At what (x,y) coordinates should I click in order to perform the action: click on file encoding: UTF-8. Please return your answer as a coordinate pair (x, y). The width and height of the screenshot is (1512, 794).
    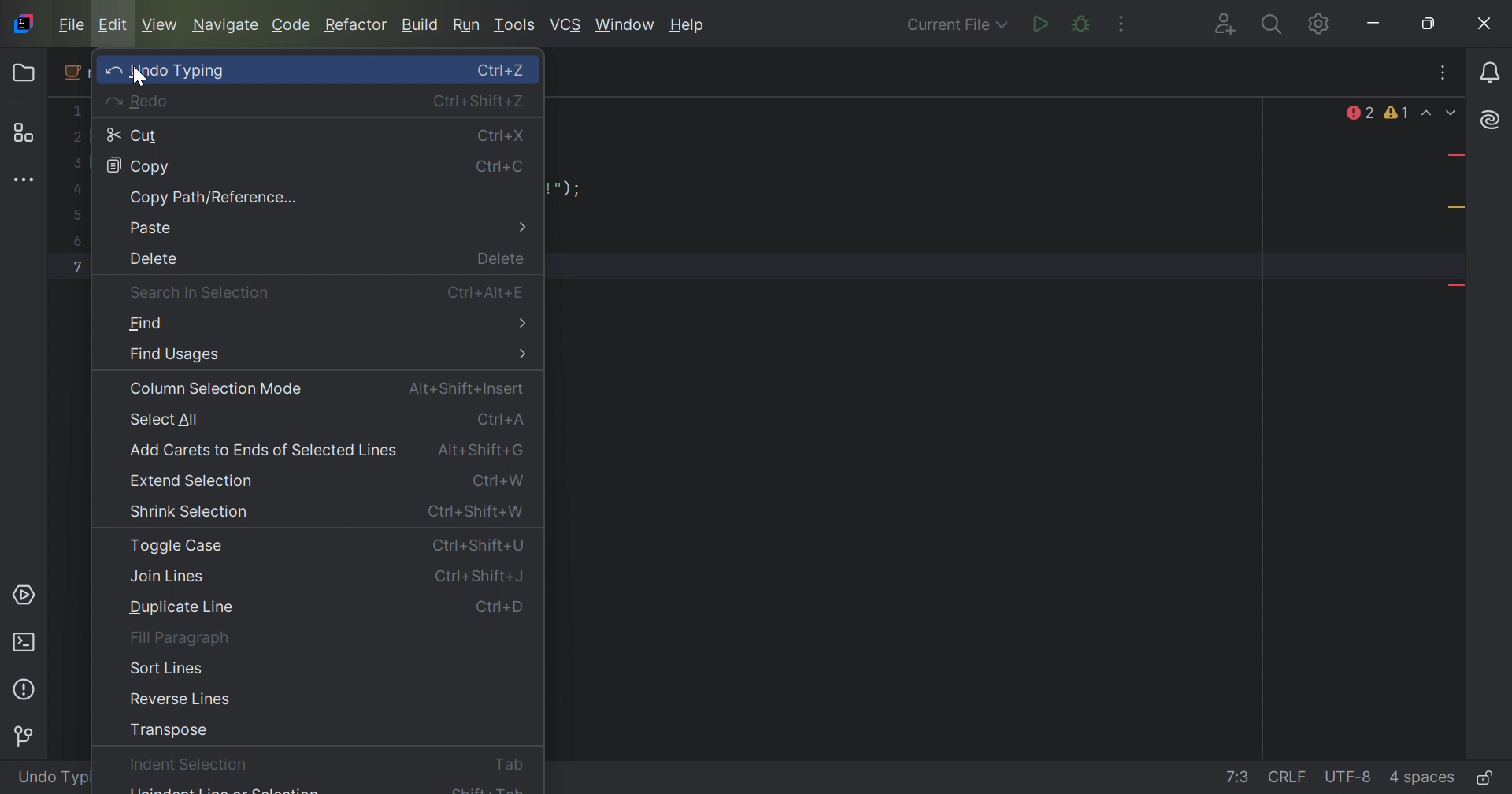
    Looking at the image, I should click on (1347, 775).